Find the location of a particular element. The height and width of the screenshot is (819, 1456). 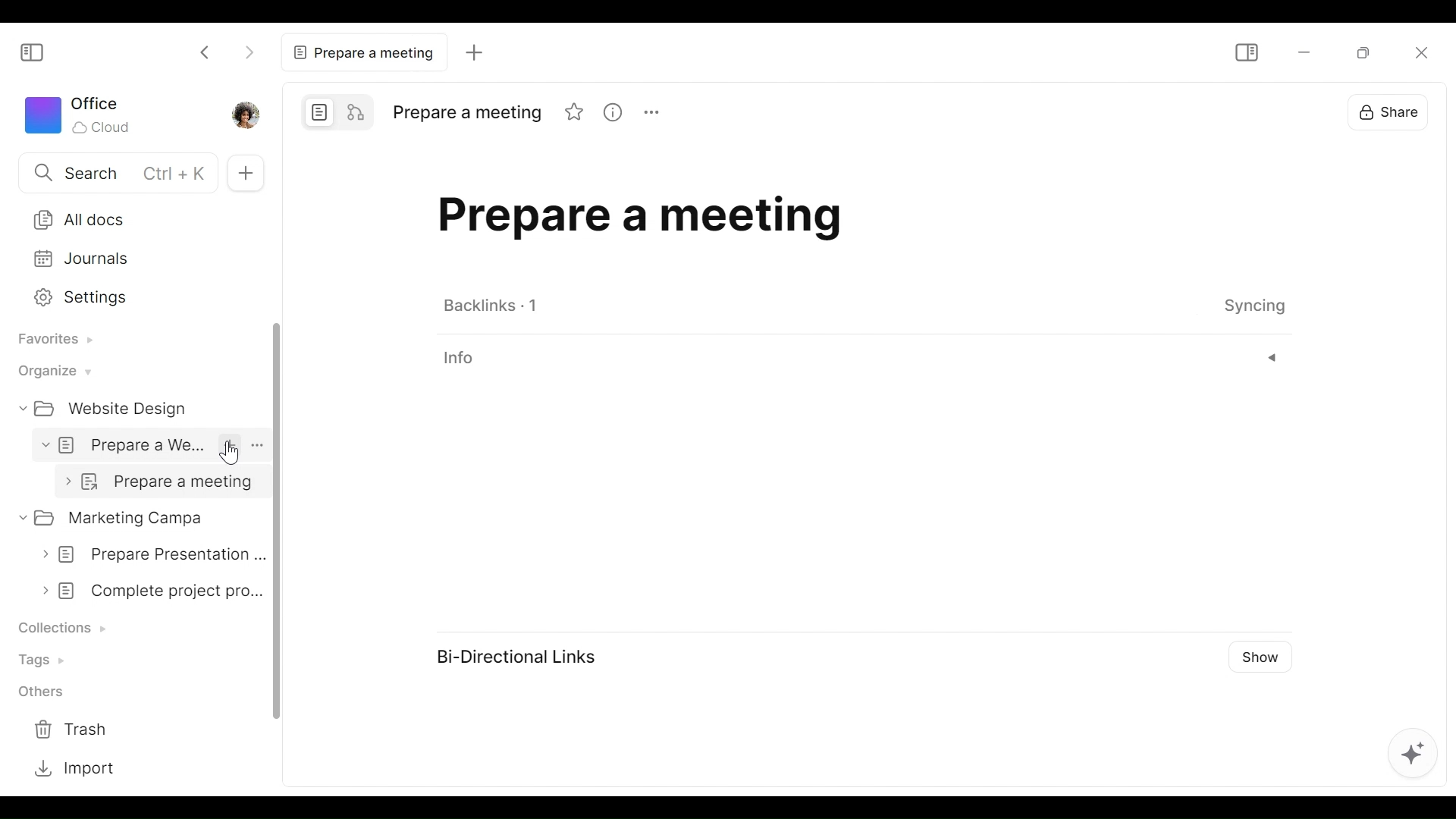

Folder is located at coordinates (111, 409).